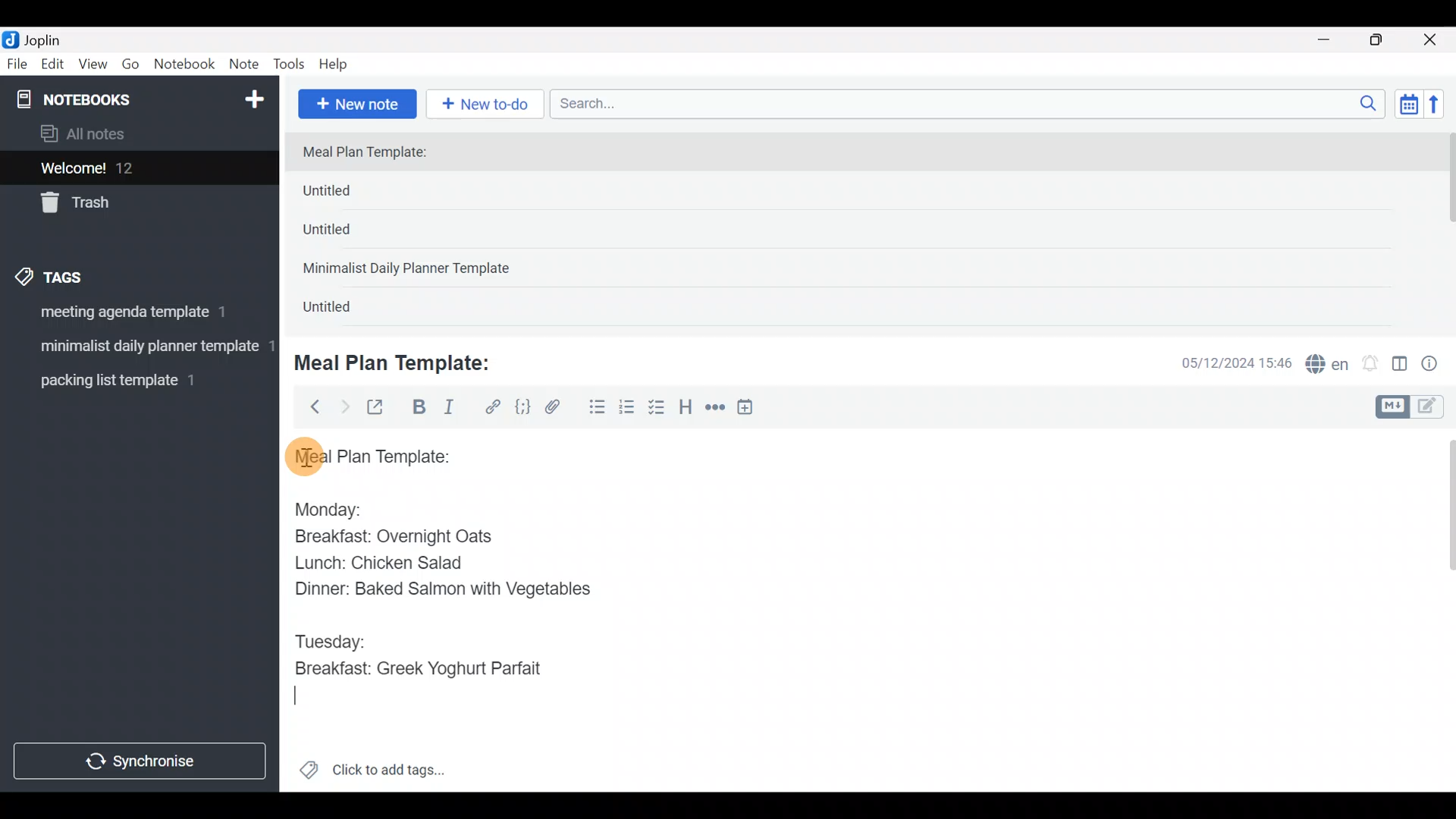 This screenshot has width=1456, height=819. What do you see at coordinates (142, 761) in the screenshot?
I see `Synchronize` at bounding box center [142, 761].